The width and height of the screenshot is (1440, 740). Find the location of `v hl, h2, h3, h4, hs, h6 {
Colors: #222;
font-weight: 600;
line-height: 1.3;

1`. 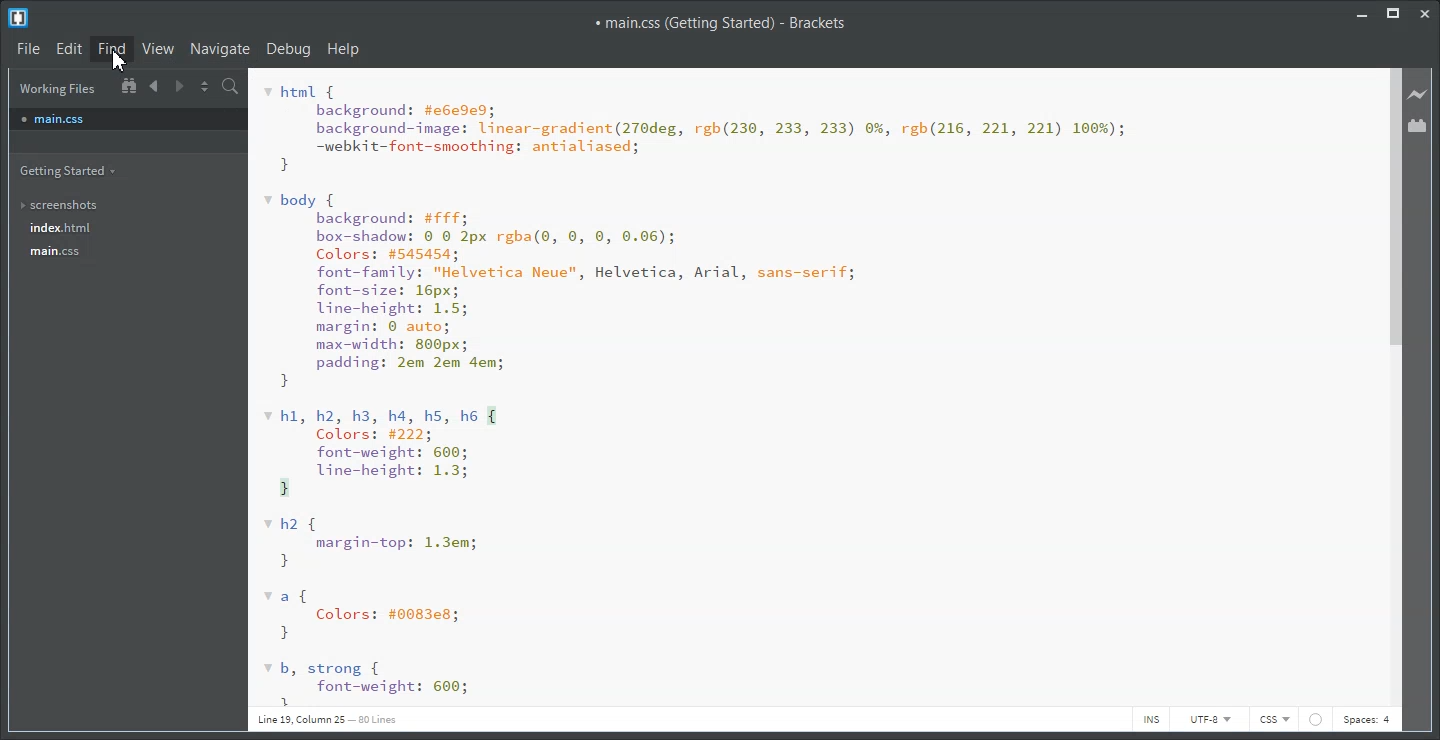

v hl, h2, h3, h4, hs, h6 {
Colors: #222;
font-weight: 600;
line-height: 1.3;

1 is located at coordinates (393, 453).